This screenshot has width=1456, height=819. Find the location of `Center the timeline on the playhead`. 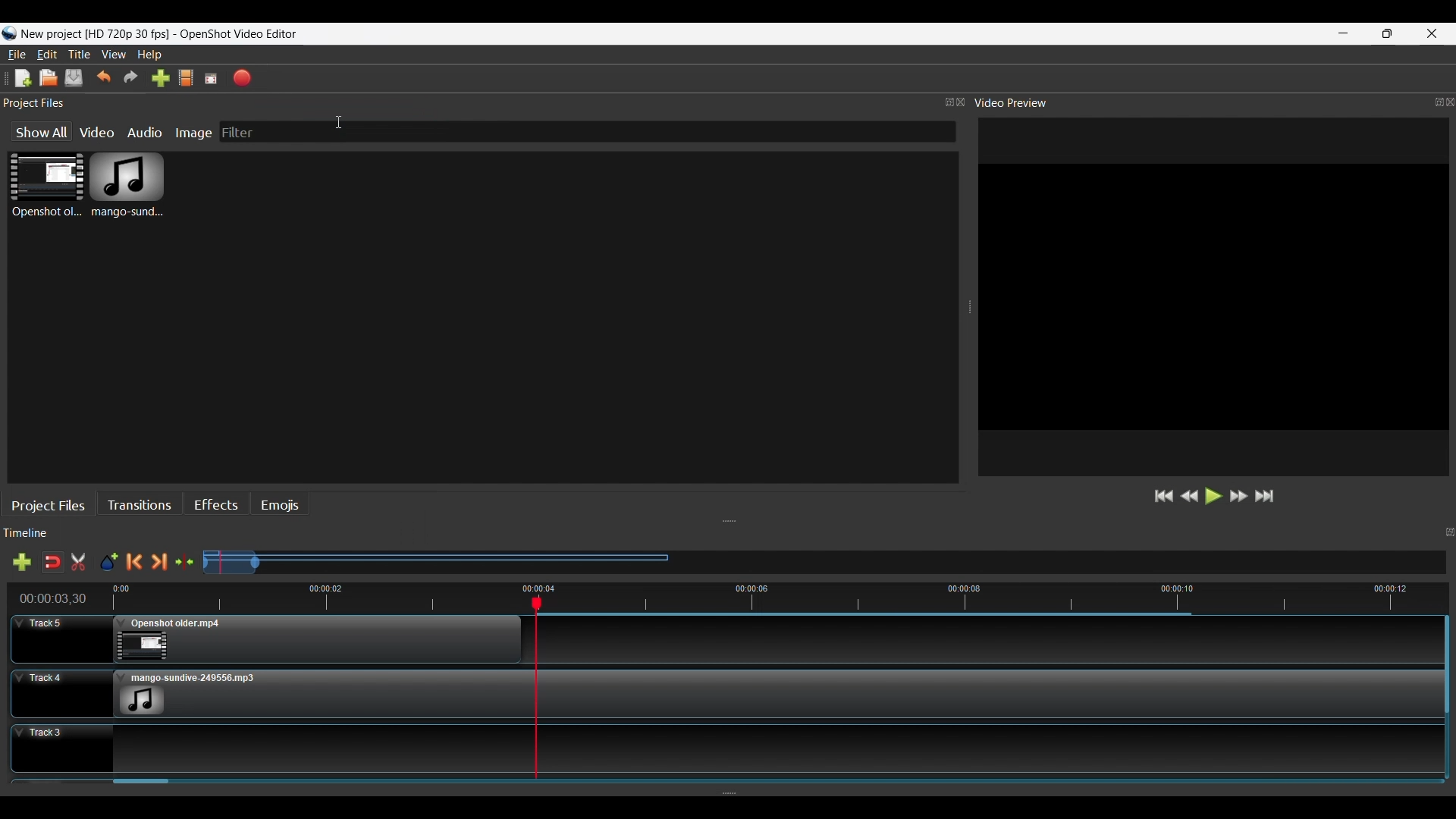

Center the timeline on the playhead is located at coordinates (185, 559).